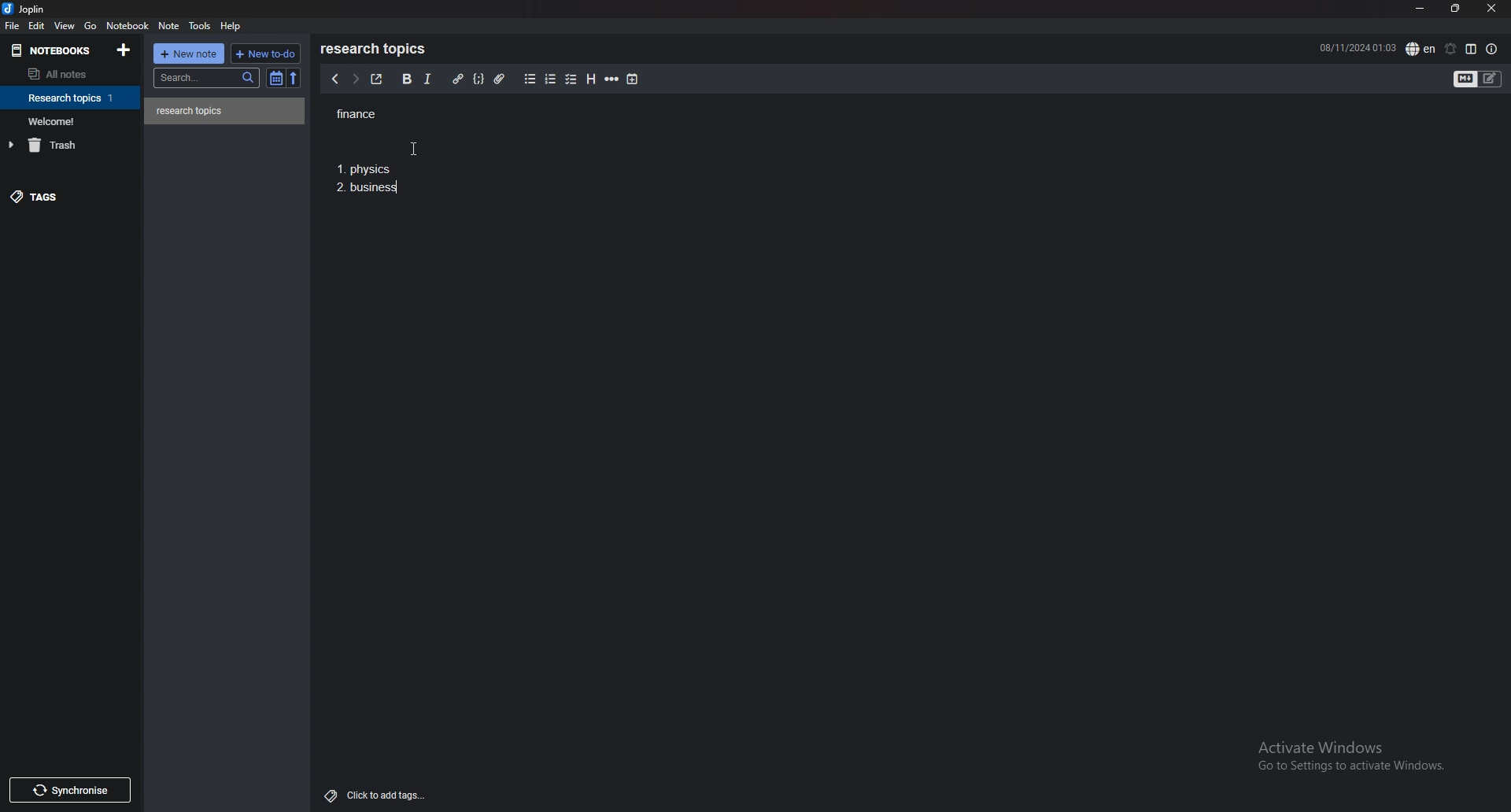  What do you see at coordinates (1357, 47) in the screenshot?
I see `08/11/2024 01:02` at bounding box center [1357, 47].